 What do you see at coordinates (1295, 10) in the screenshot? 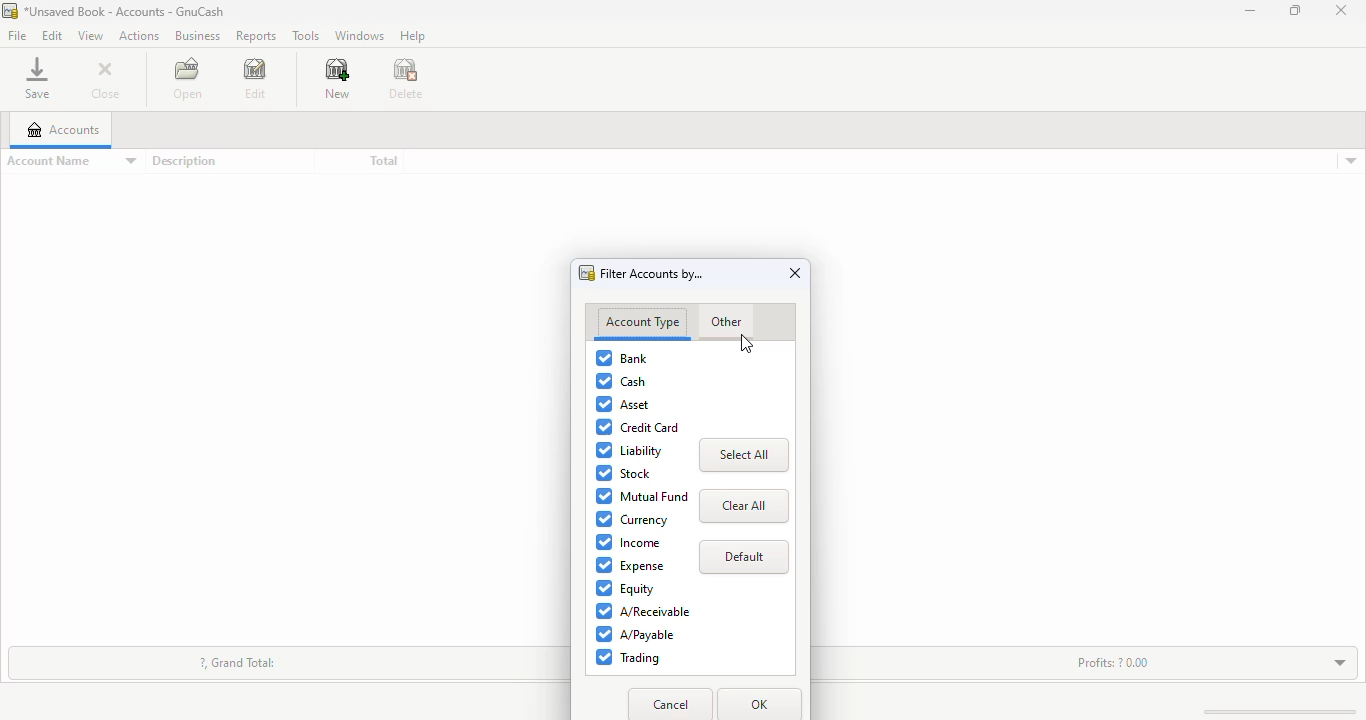
I see `maximize` at bounding box center [1295, 10].